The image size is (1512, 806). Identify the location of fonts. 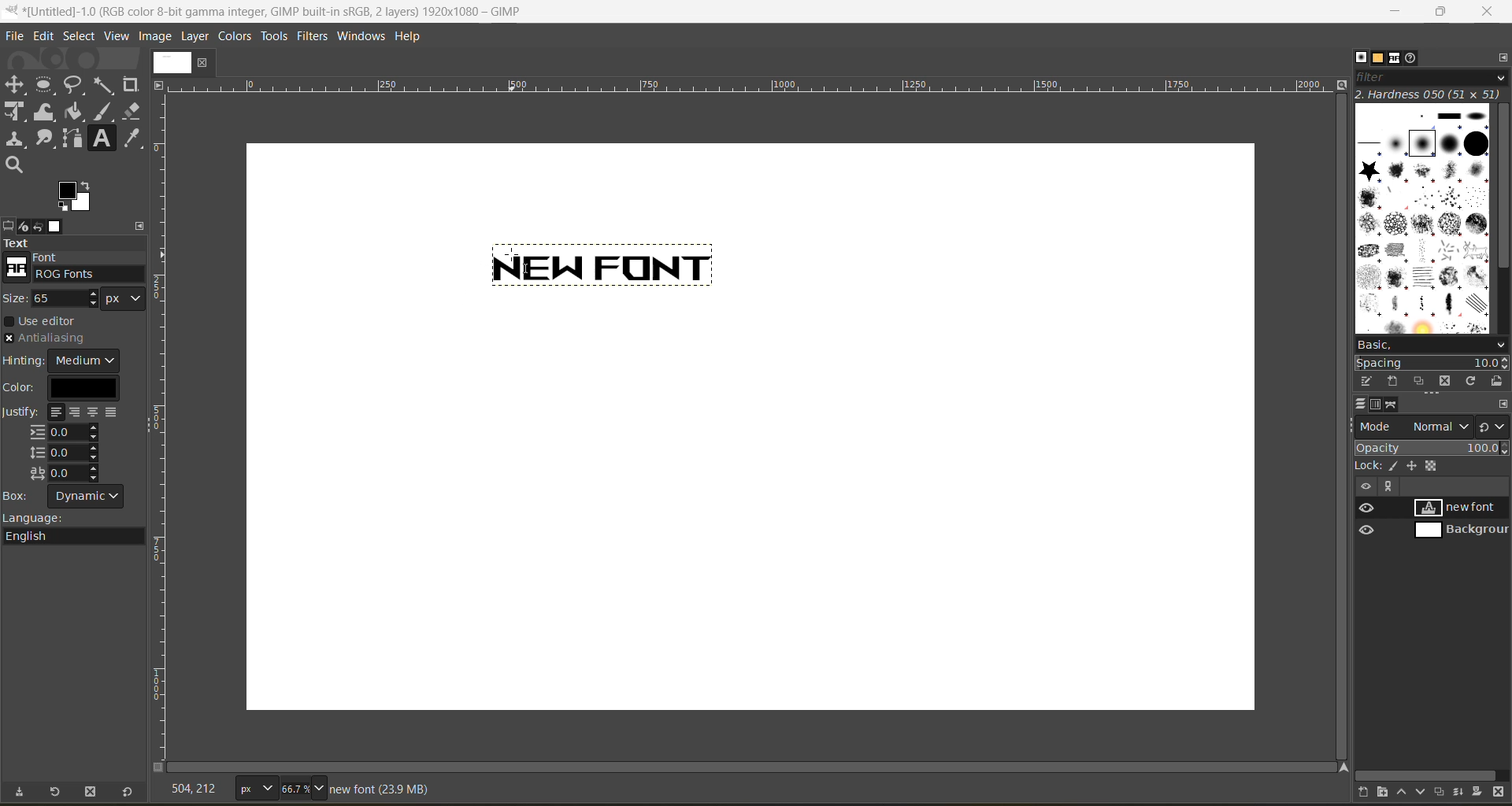
(1398, 59).